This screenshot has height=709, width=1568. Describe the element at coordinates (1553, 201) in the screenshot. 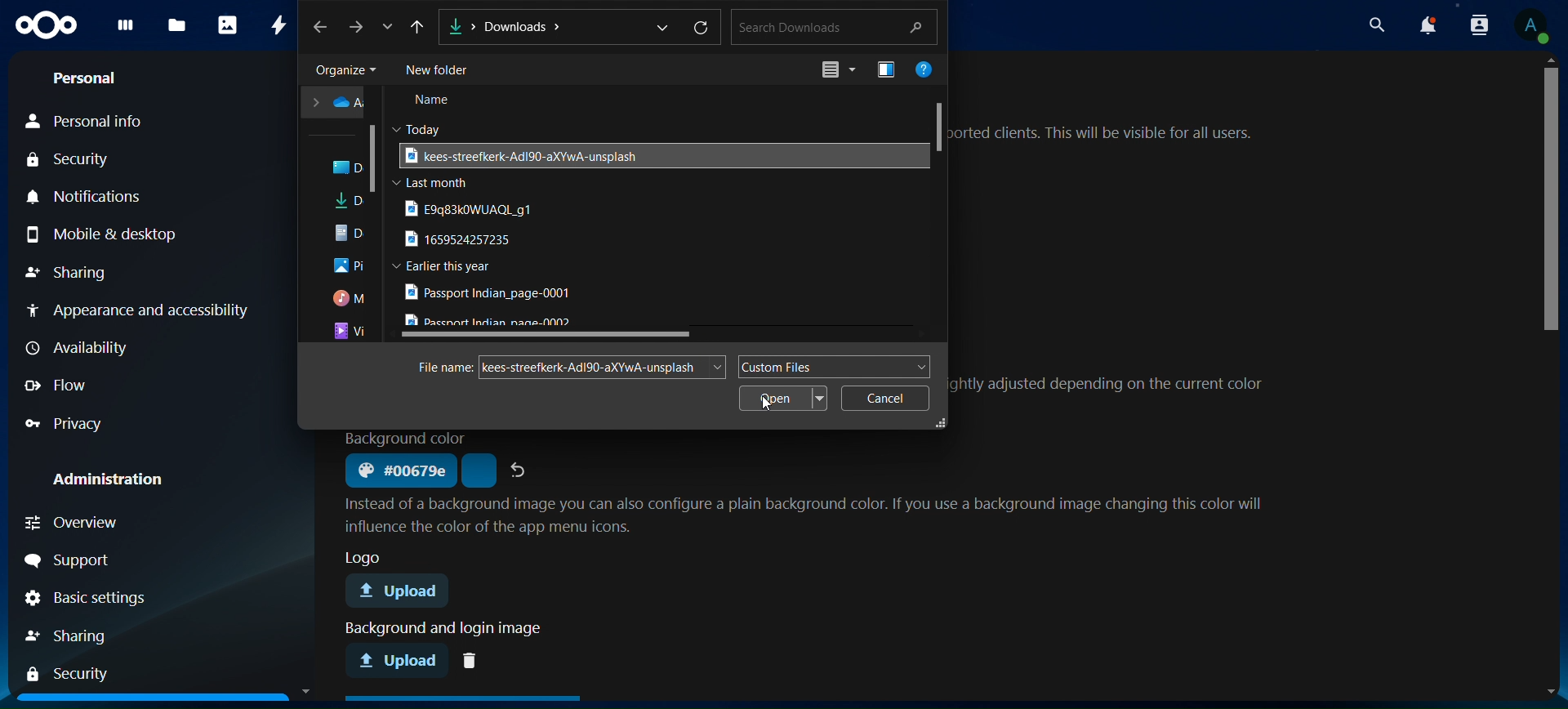

I see `scroll bar` at that location.